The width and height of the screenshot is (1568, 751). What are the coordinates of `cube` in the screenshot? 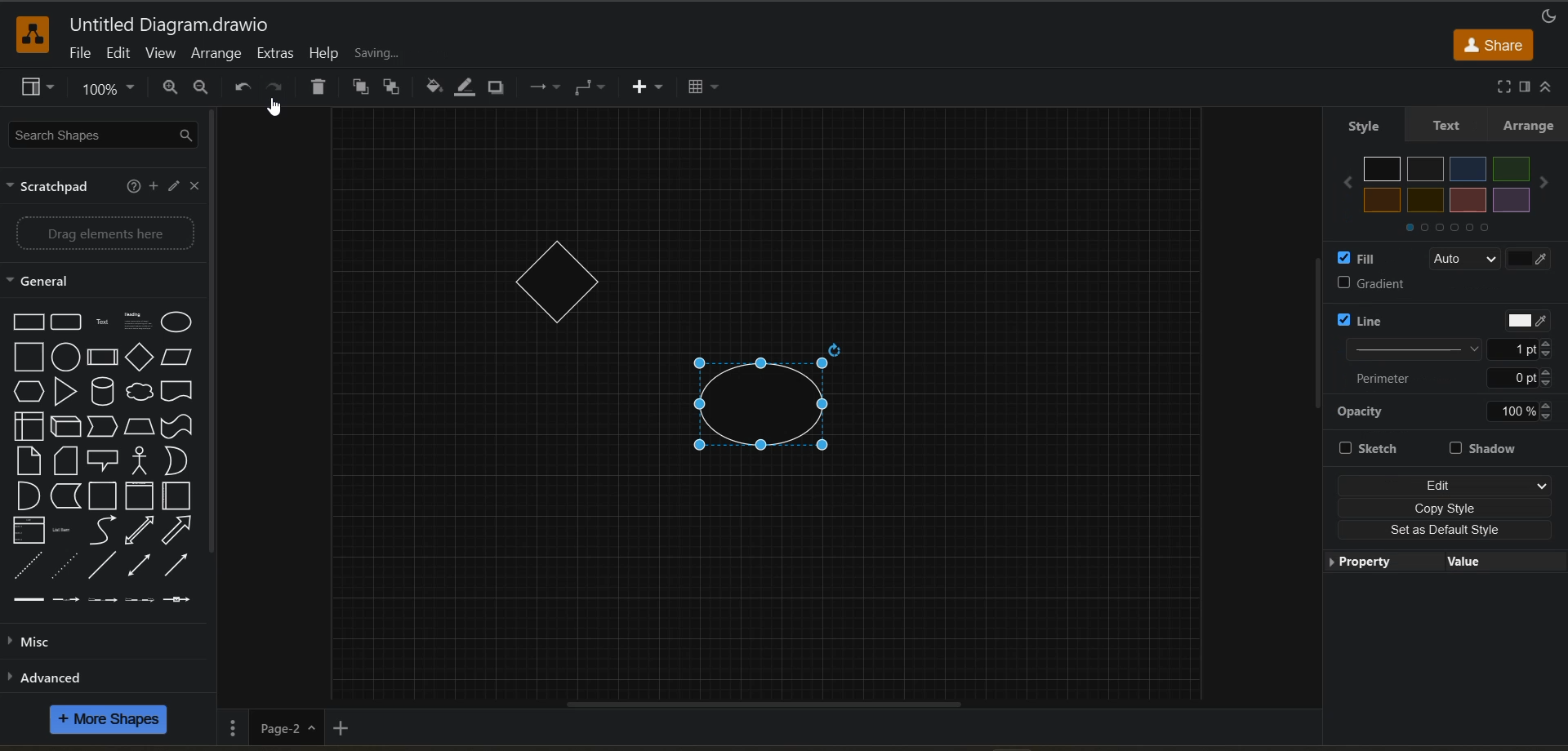 It's located at (66, 427).